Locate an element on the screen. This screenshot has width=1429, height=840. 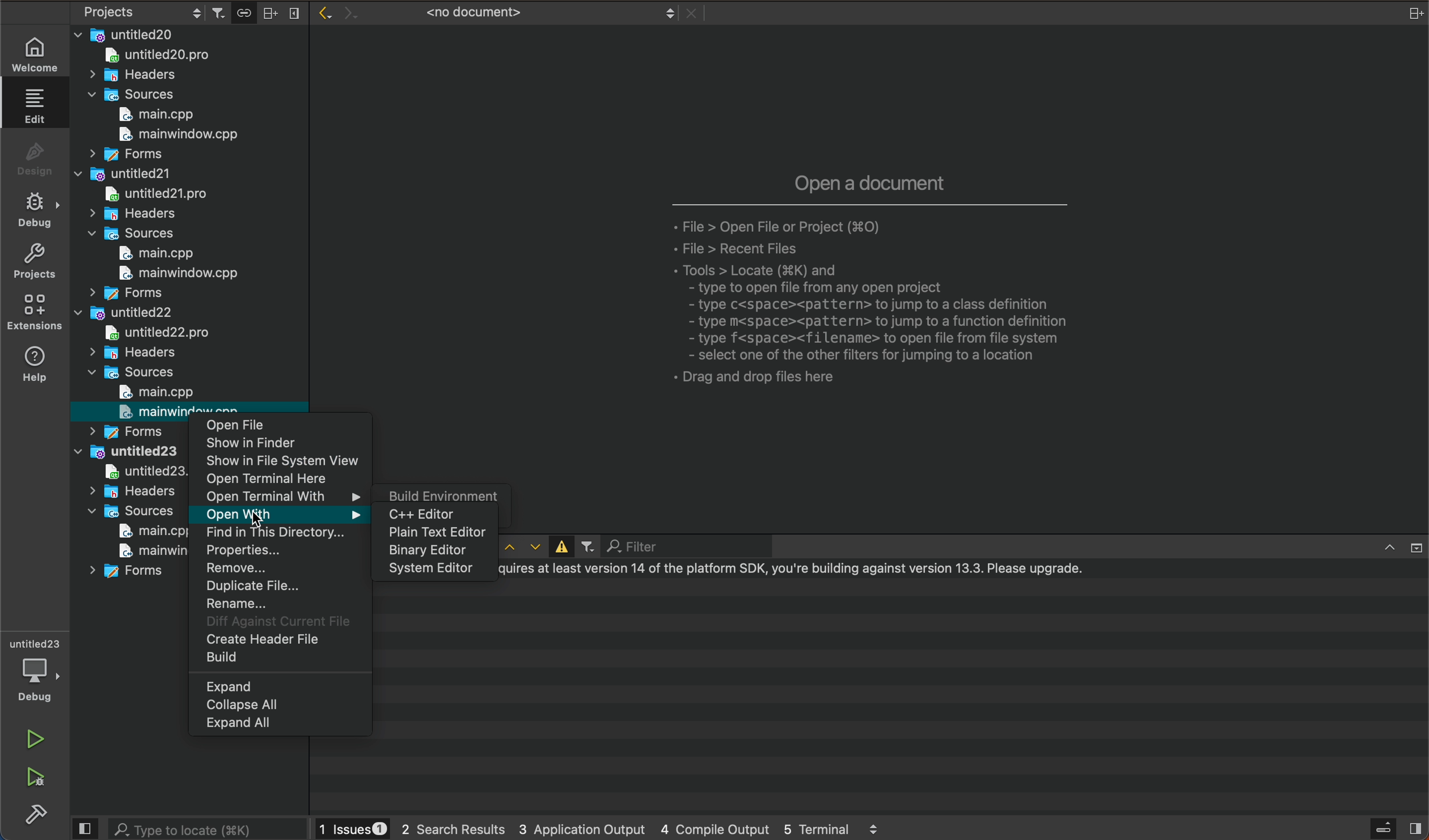
arrows is located at coordinates (521, 547).